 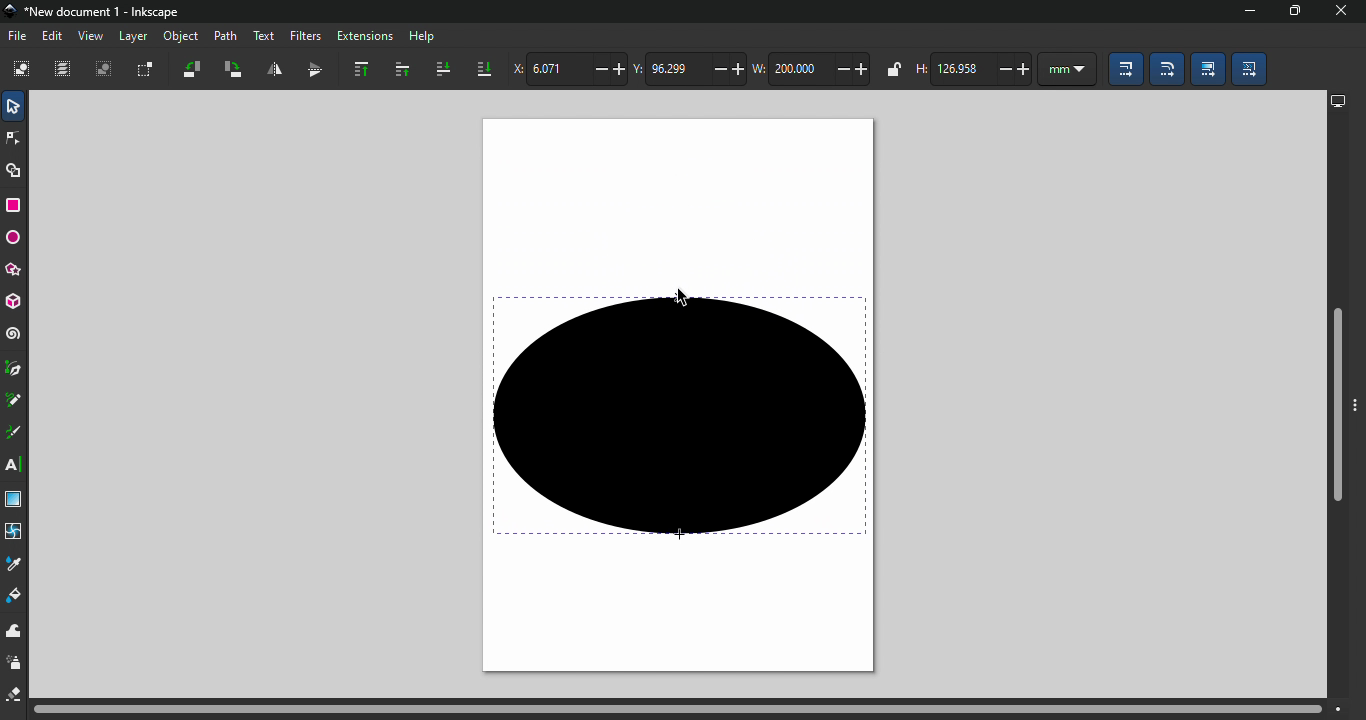 What do you see at coordinates (362, 70) in the screenshot?
I see `Raise selection to top` at bounding box center [362, 70].